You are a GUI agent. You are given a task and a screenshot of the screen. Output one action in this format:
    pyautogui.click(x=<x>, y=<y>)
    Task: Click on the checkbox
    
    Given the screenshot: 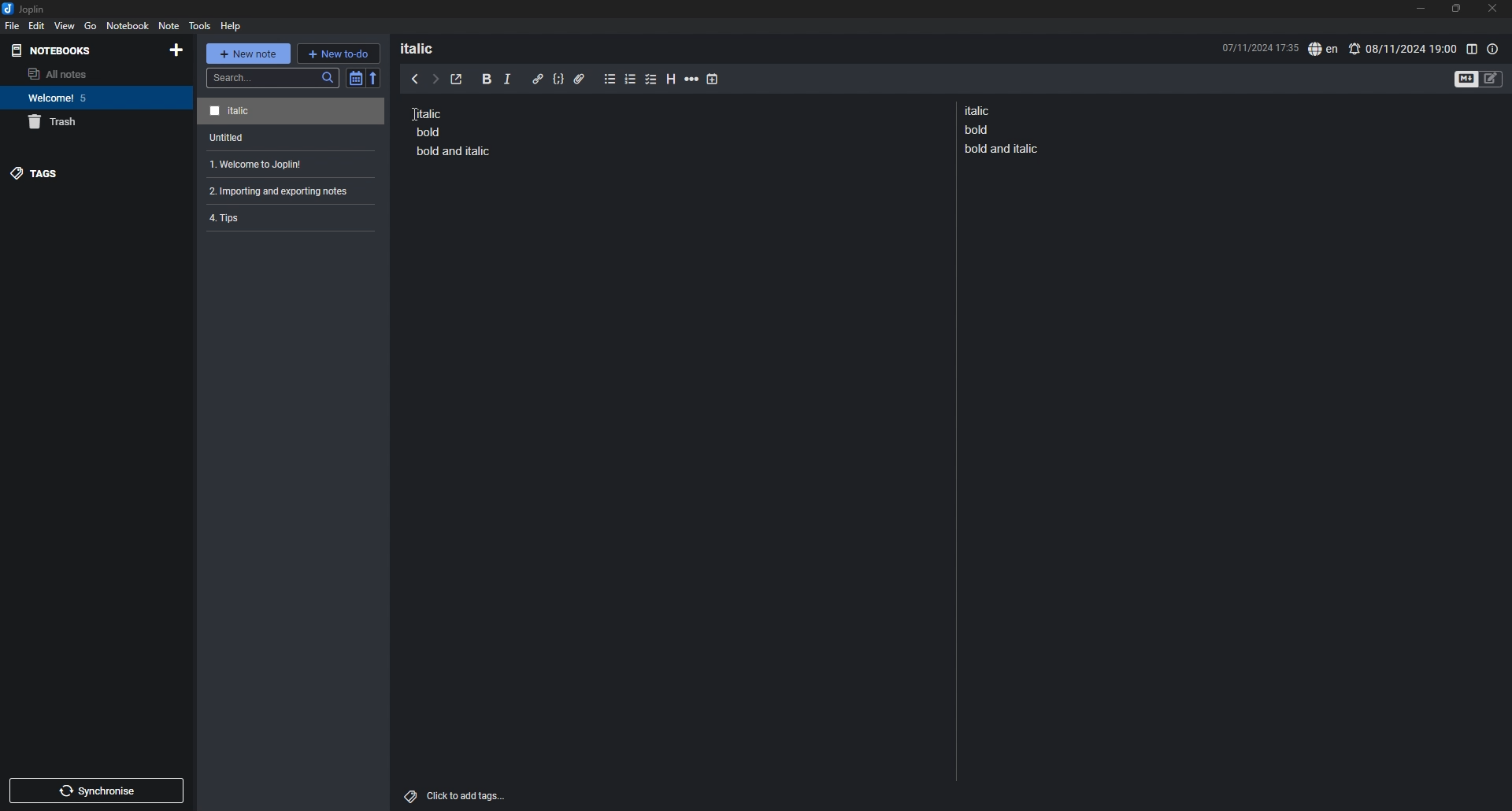 What is the action you would take?
    pyautogui.click(x=651, y=80)
    